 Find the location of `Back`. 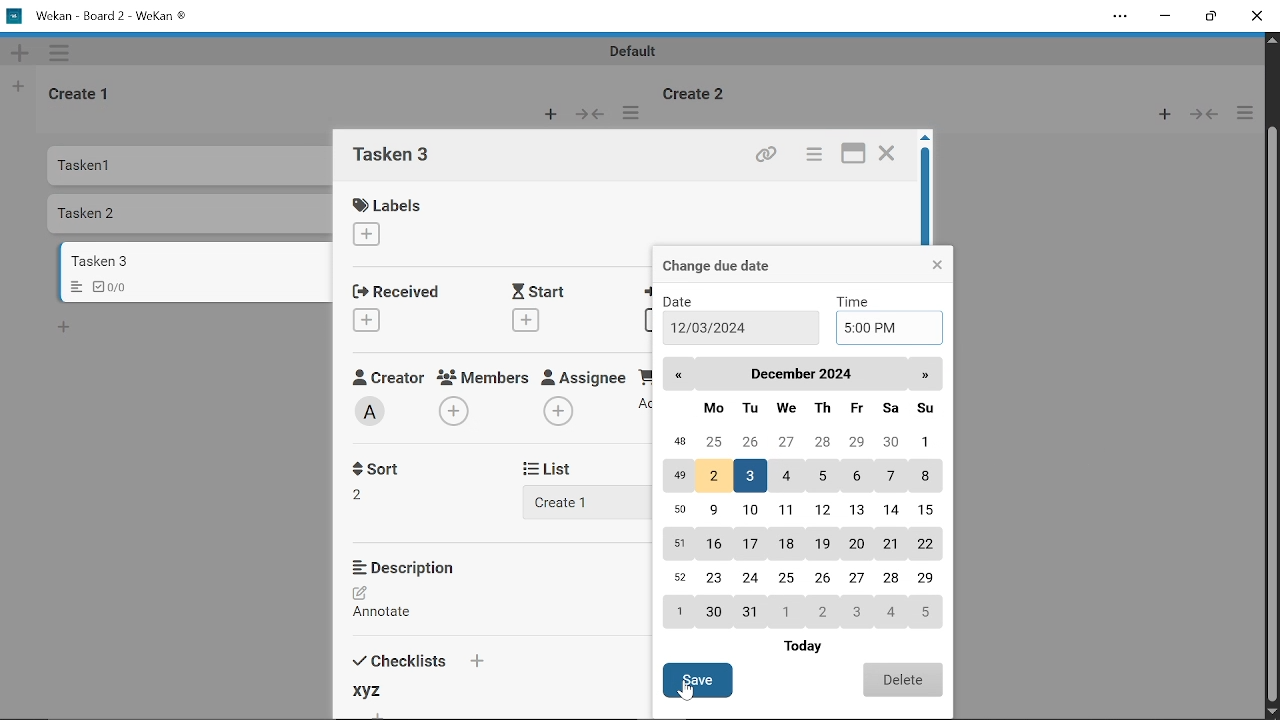

Back is located at coordinates (681, 373).